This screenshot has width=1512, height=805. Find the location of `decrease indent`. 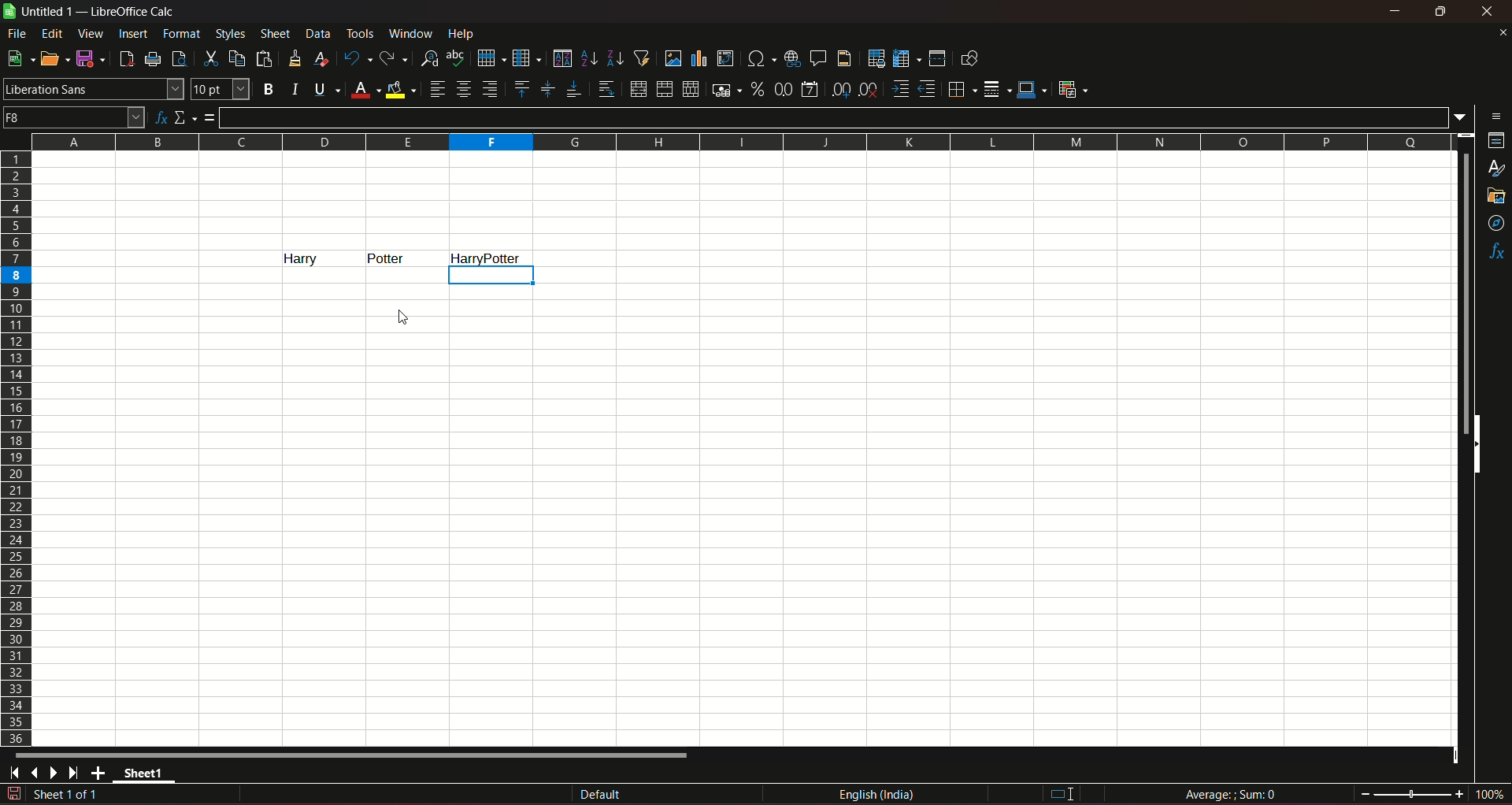

decrease indent is located at coordinates (927, 89).